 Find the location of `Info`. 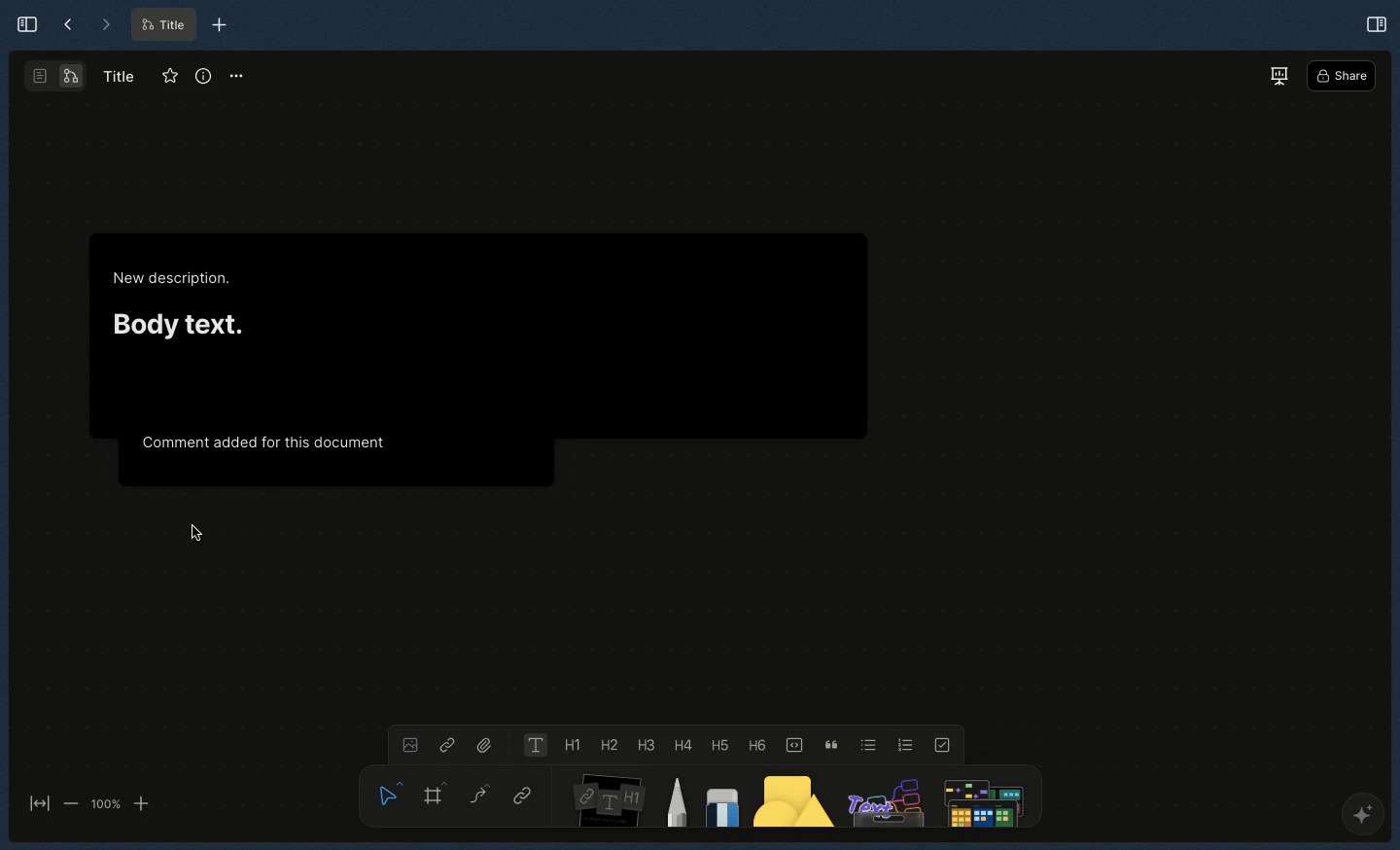

Info is located at coordinates (203, 77).